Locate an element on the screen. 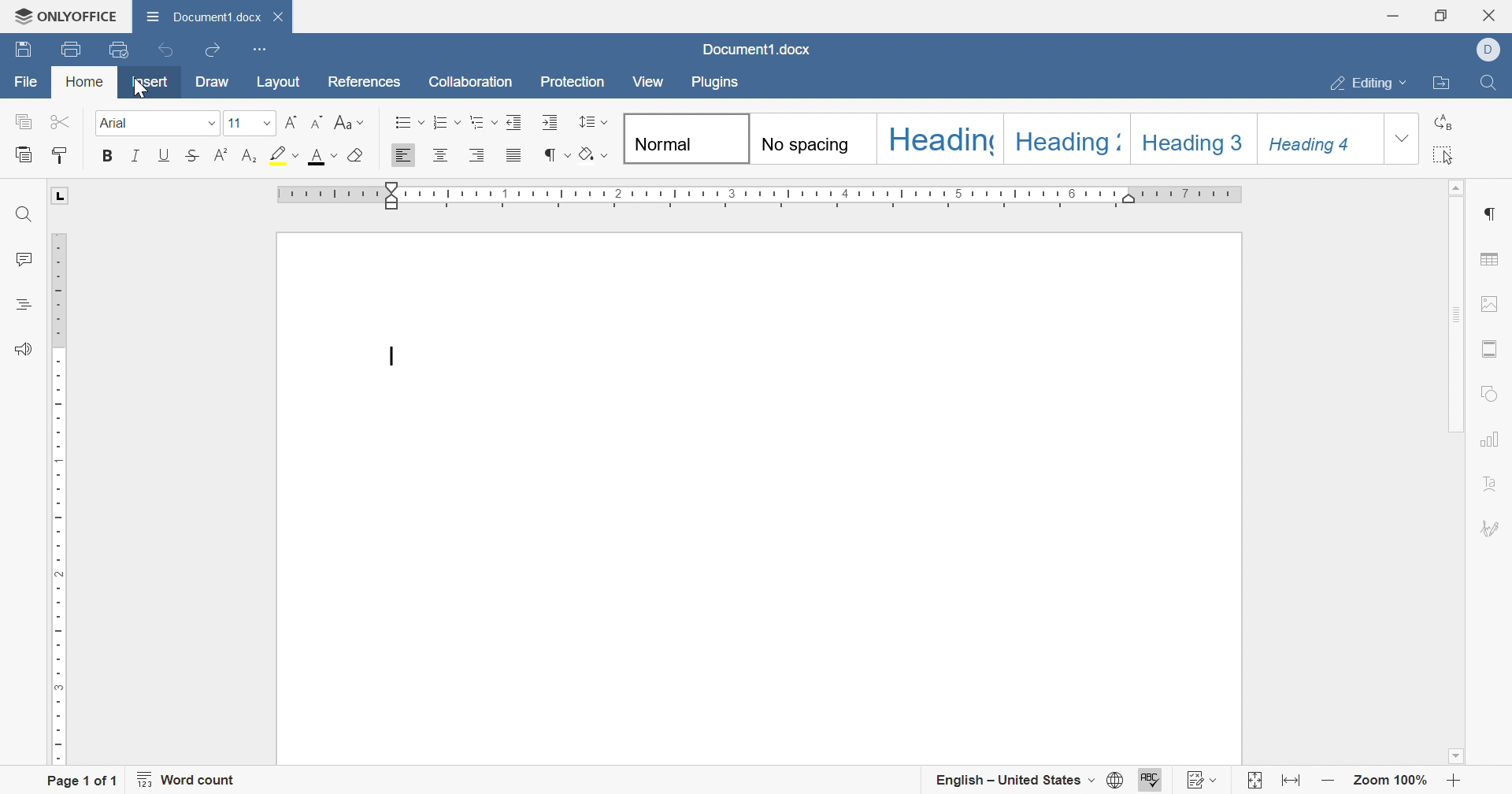 Image resolution: width=1512 pixels, height=794 pixels. Redo is located at coordinates (213, 52).